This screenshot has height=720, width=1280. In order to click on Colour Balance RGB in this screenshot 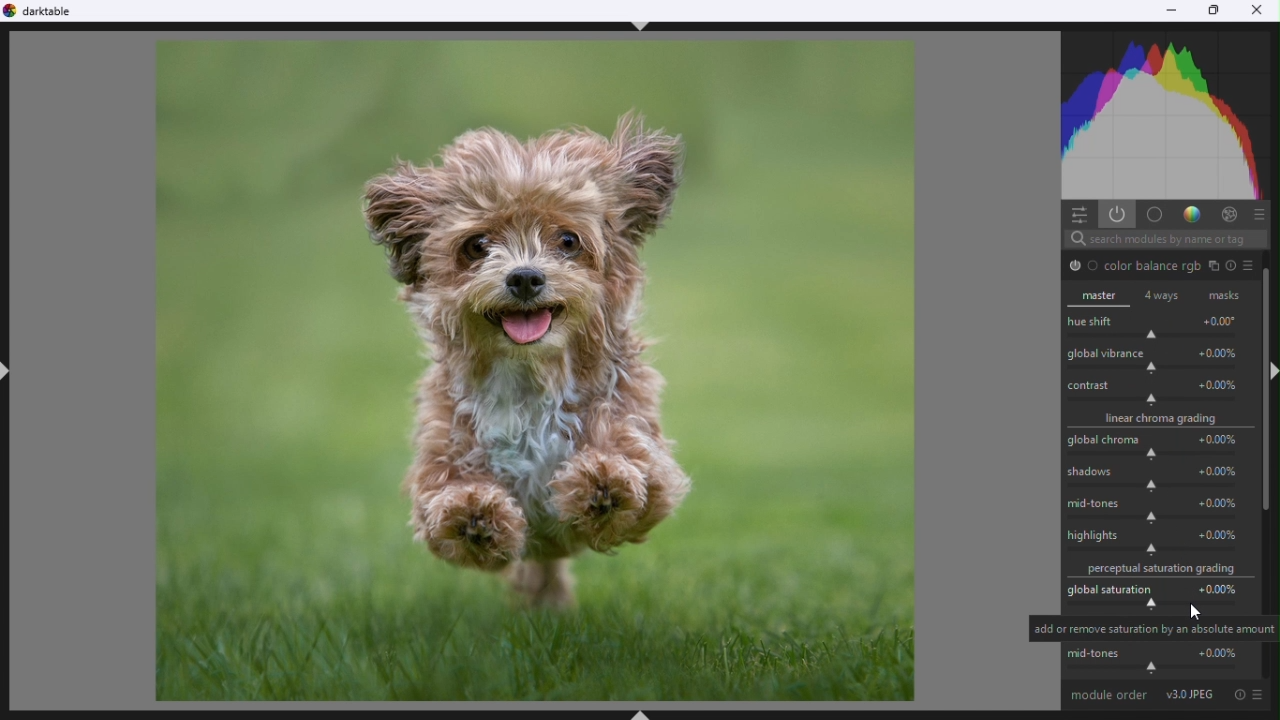, I will do `click(1163, 265)`.